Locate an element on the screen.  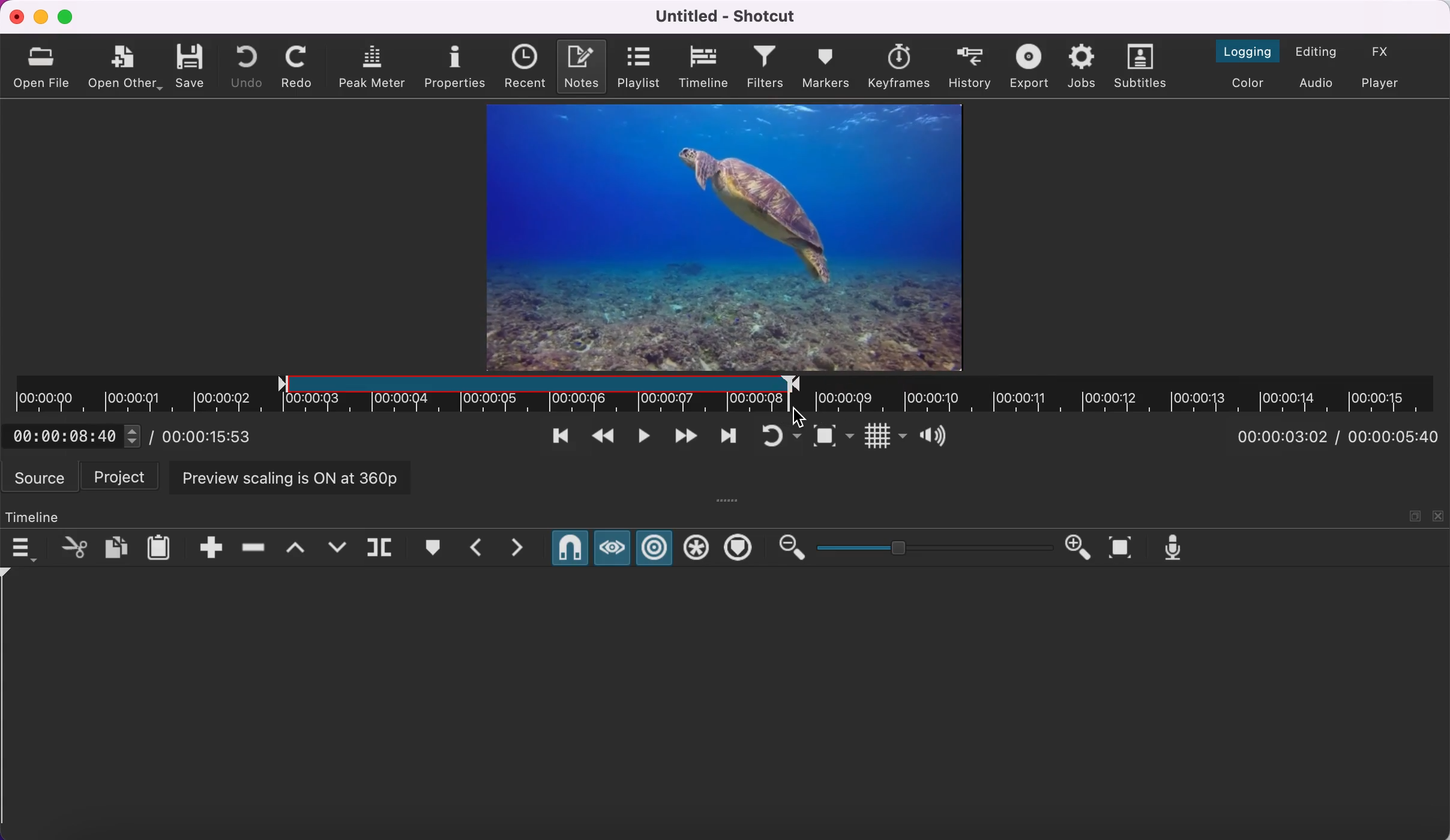
overwrite is located at coordinates (336, 547).